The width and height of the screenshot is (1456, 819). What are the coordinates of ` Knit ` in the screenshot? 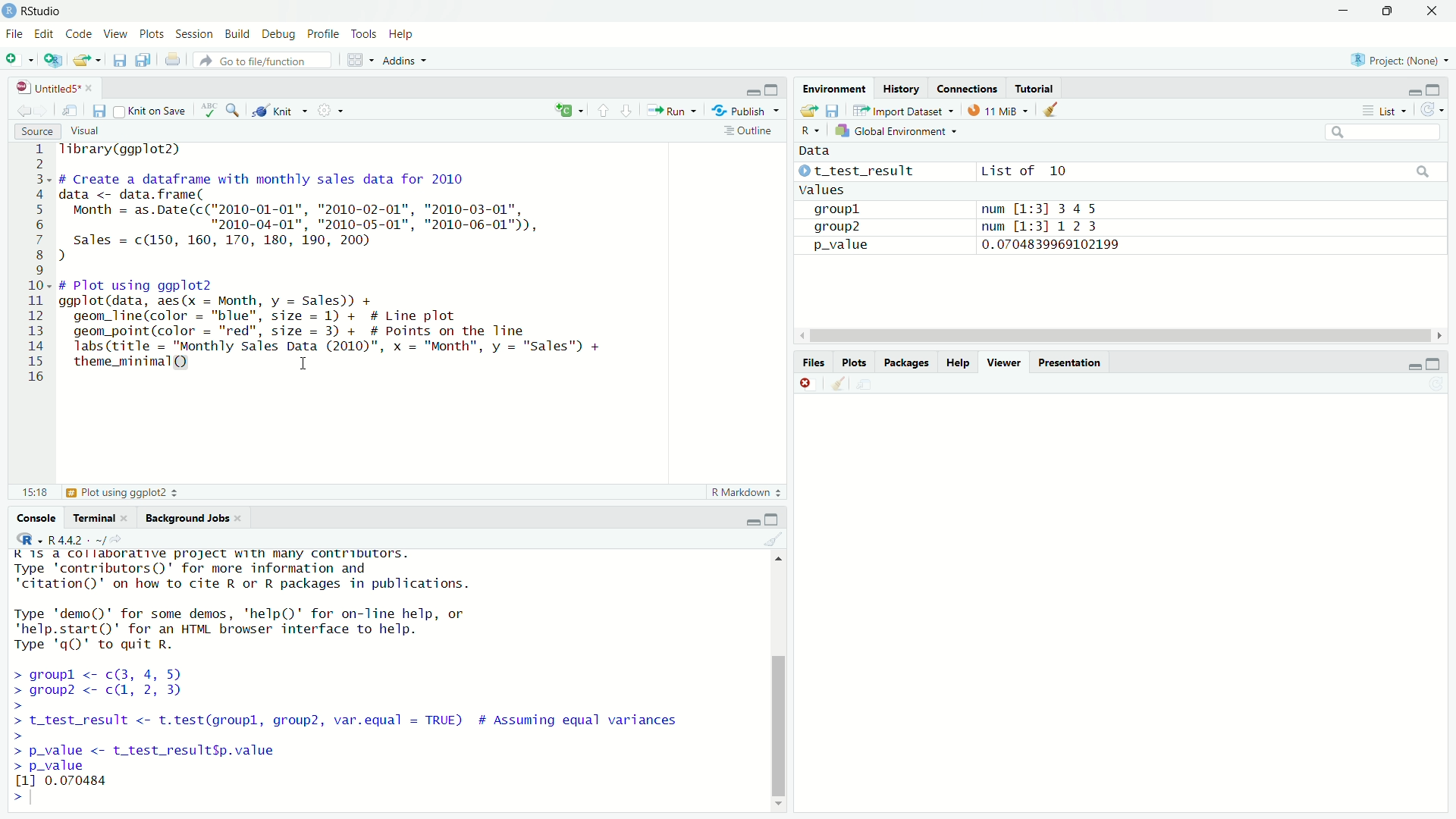 It's located at (281, 110).